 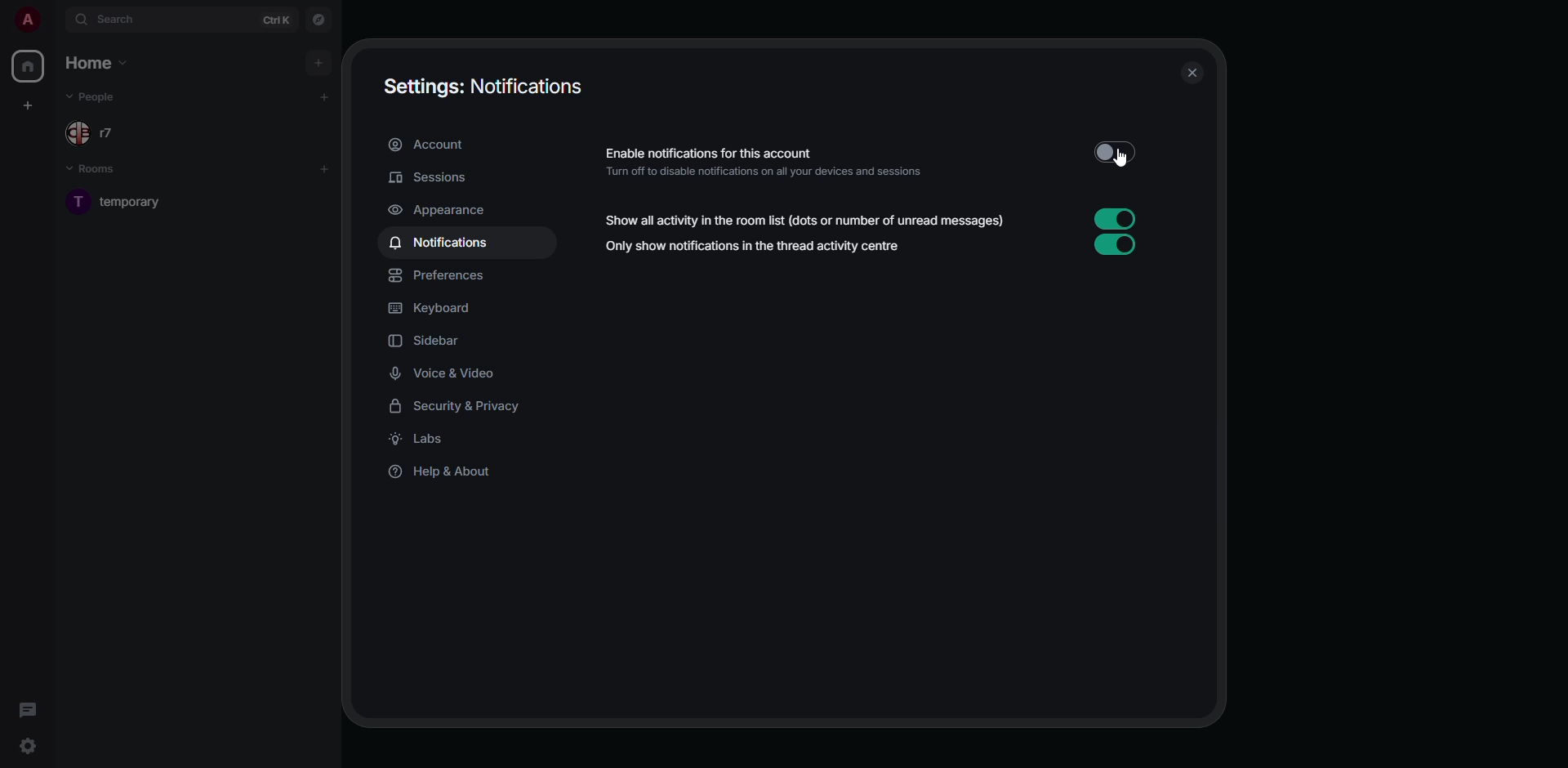 What do you see at coordinates (485, 86) in the screenshot?
I see `settings notifications` at bounding box center [485, 86].